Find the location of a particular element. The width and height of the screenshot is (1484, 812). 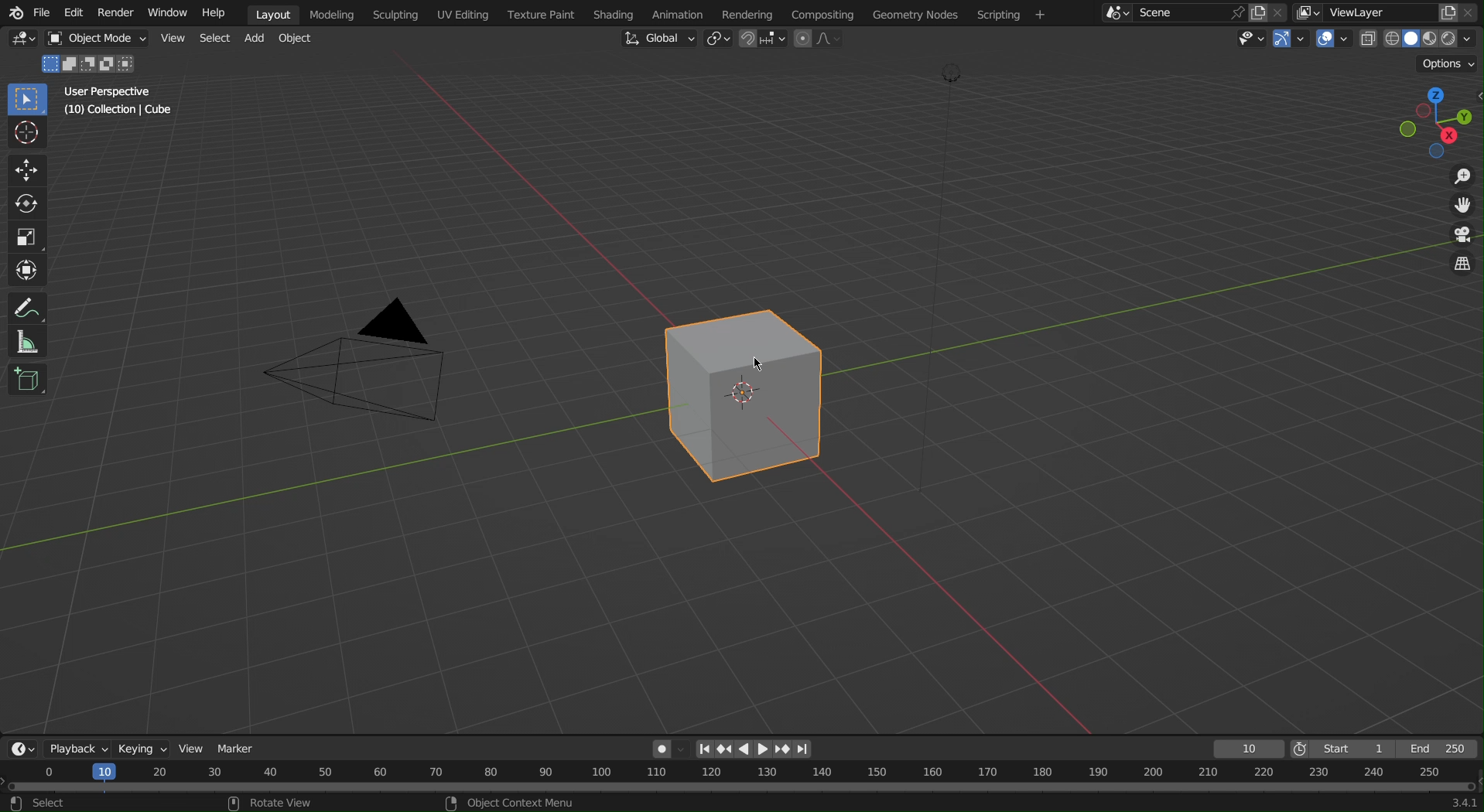

Zoom is located at coordinates (1455, 179).